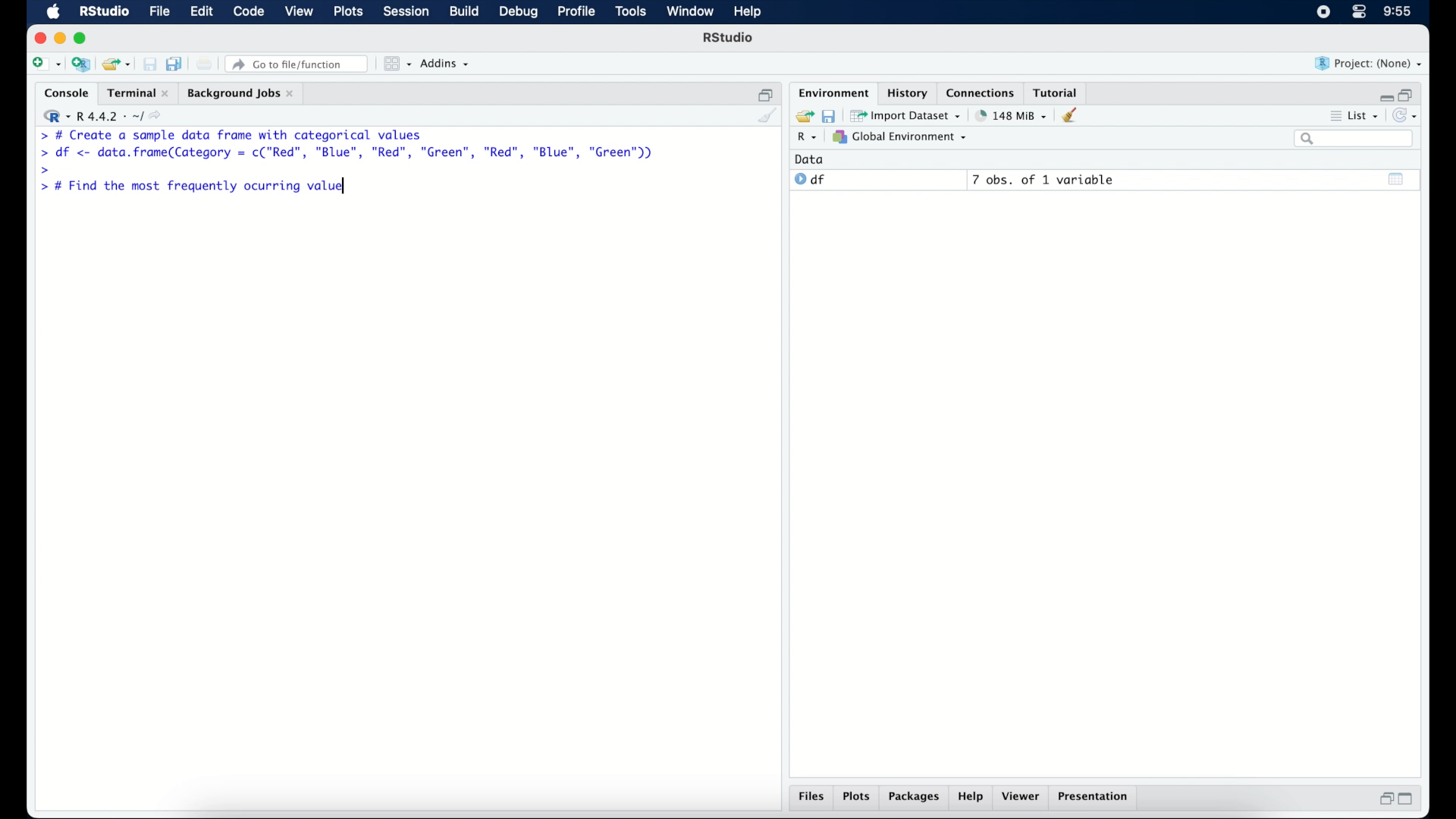 This screenshot has width=1456, height=819. What do you see at coordinates (205, 64) in the screenshot?
I see `print` at bounding box center [205, 64].